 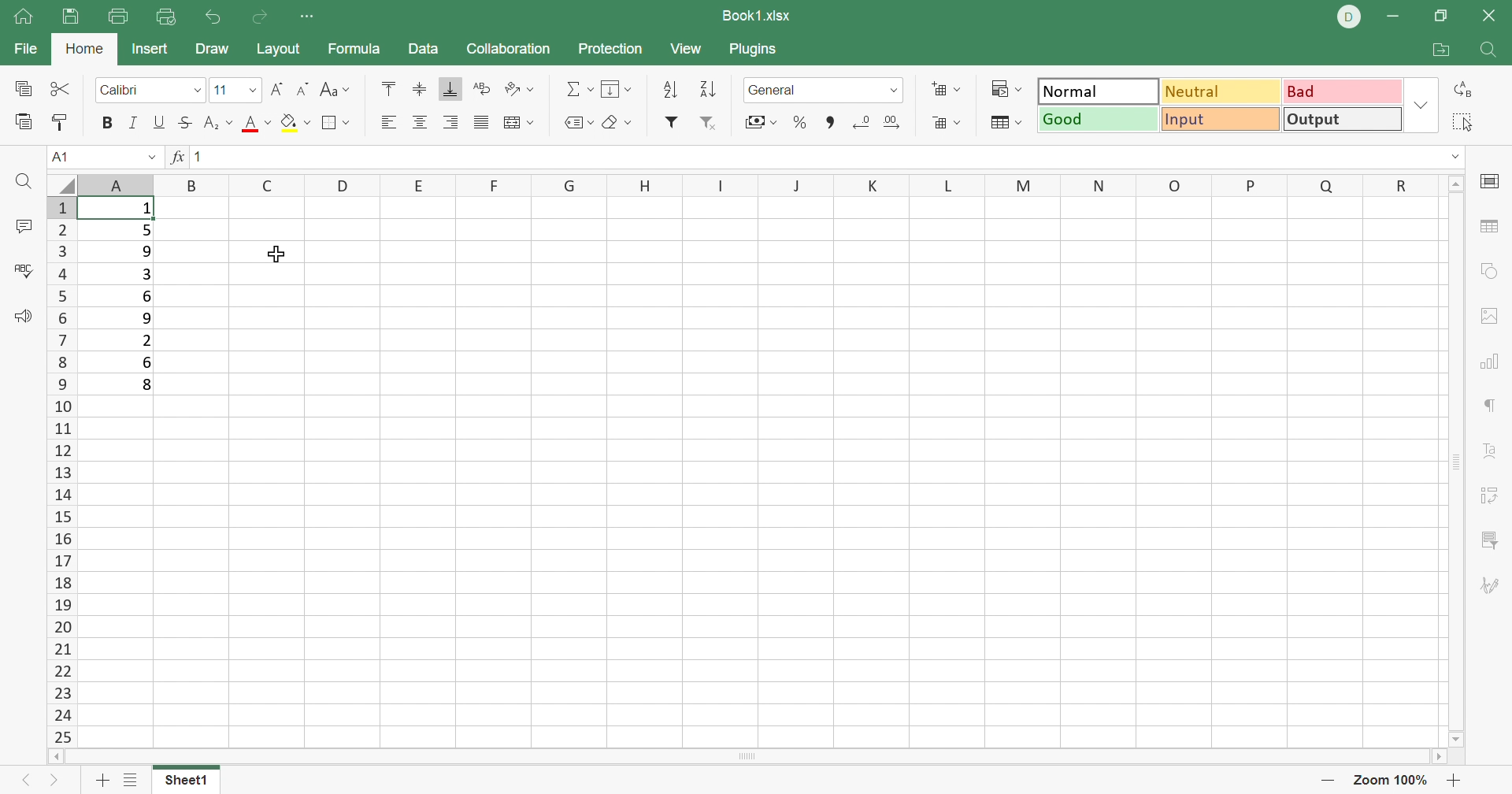 I want to click on Filter, so click(x=669, y=122).